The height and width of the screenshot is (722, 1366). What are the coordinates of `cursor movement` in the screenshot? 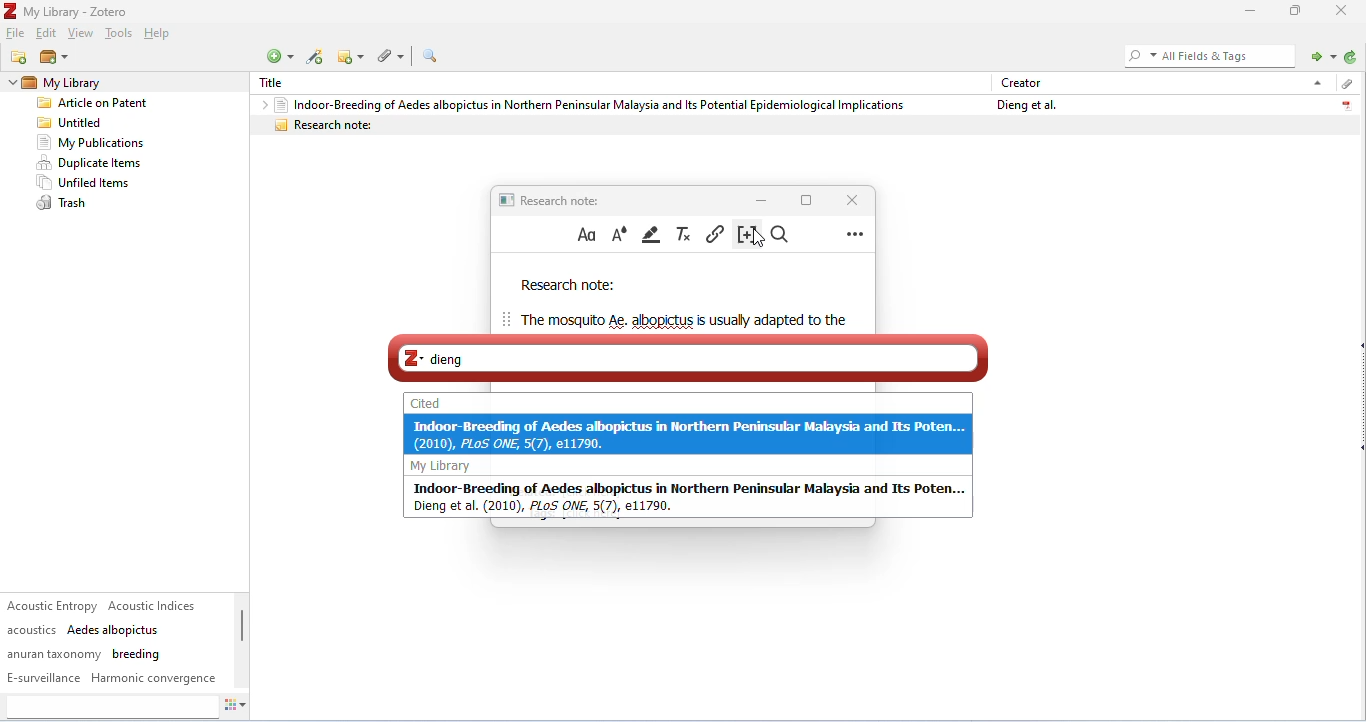 It's located at (761, 239).